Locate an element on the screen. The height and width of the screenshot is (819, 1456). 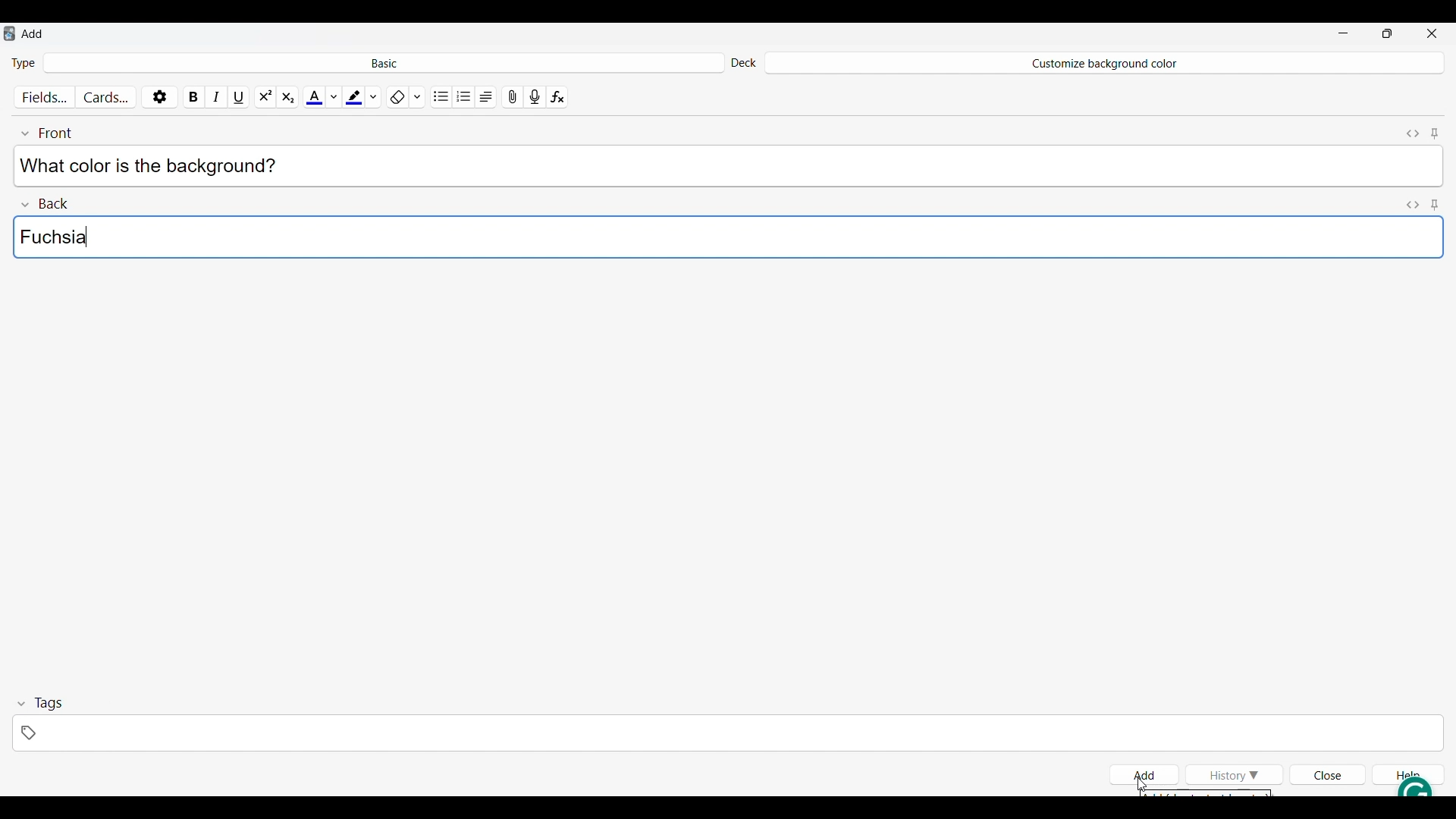
Click to type in tags is located at coordinates (727, 733).